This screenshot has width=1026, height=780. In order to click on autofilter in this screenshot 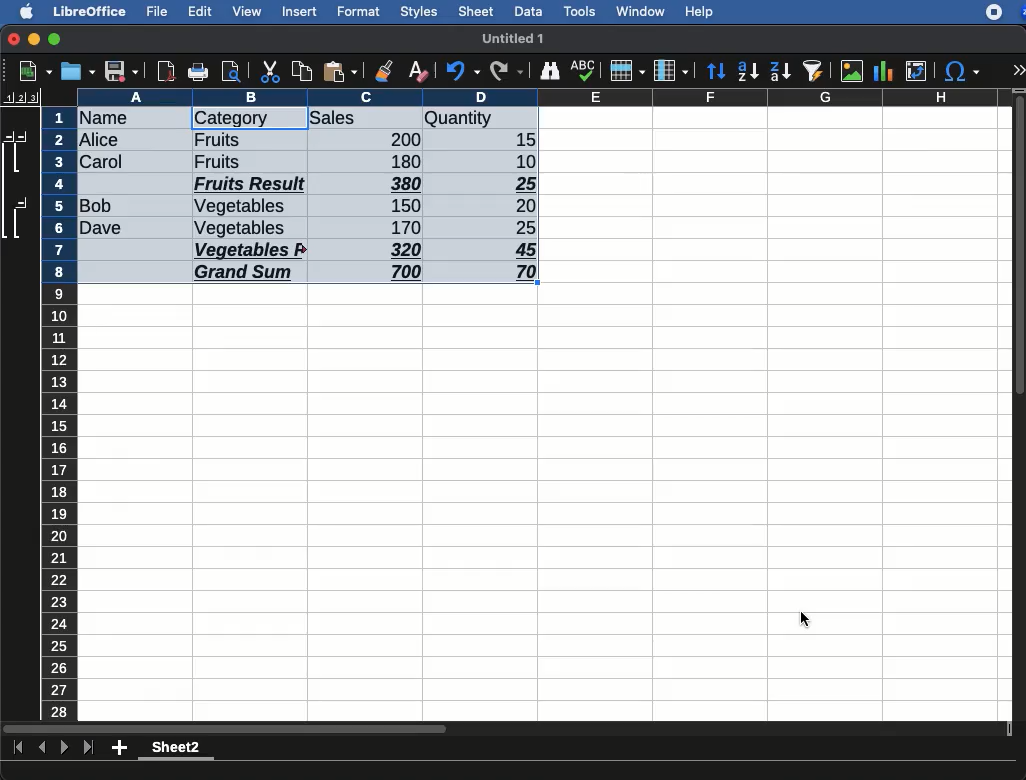, I will do `click(814, 70)`.